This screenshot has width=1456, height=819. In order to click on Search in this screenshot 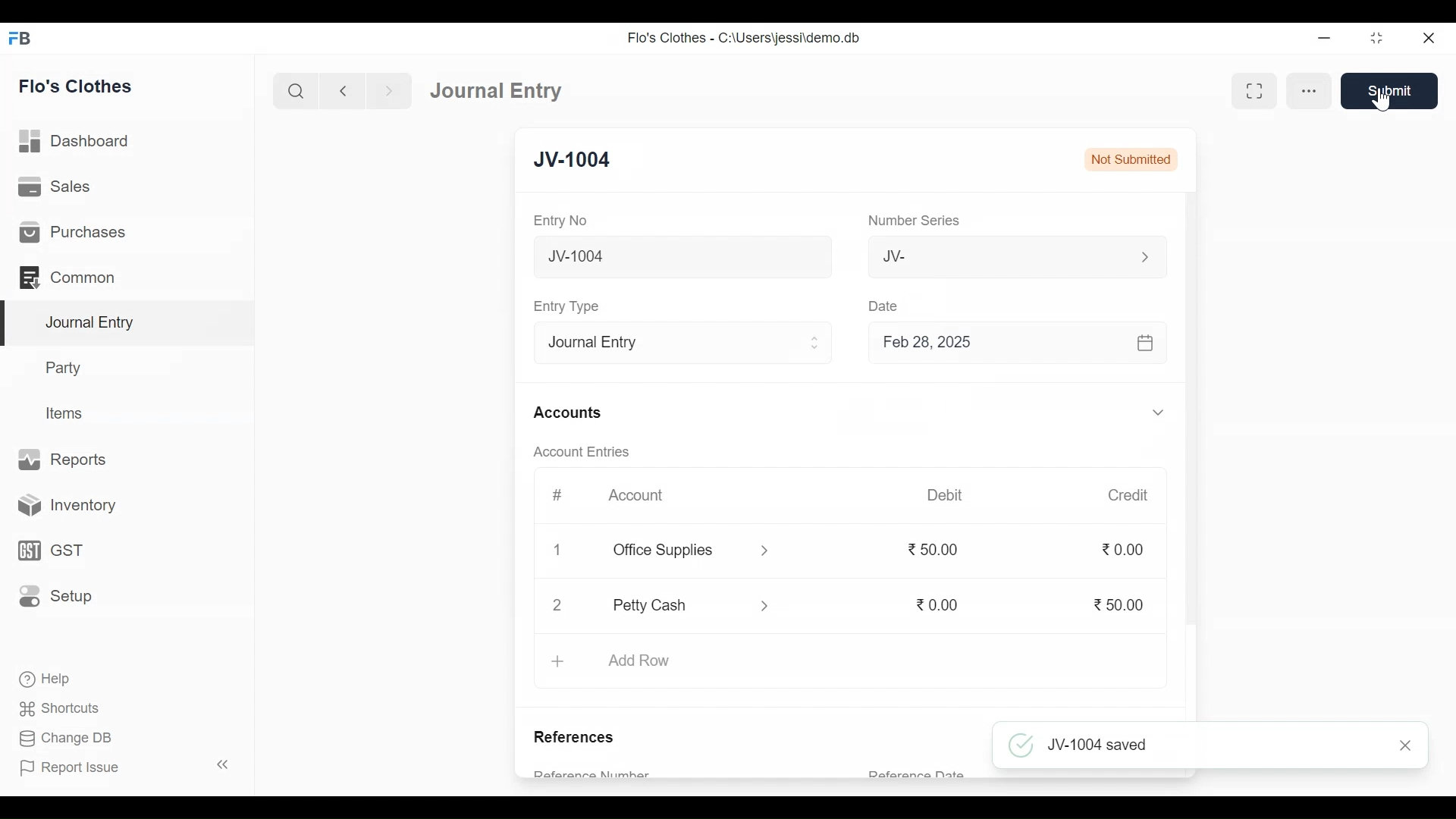, I will do `click(296, 92)`.